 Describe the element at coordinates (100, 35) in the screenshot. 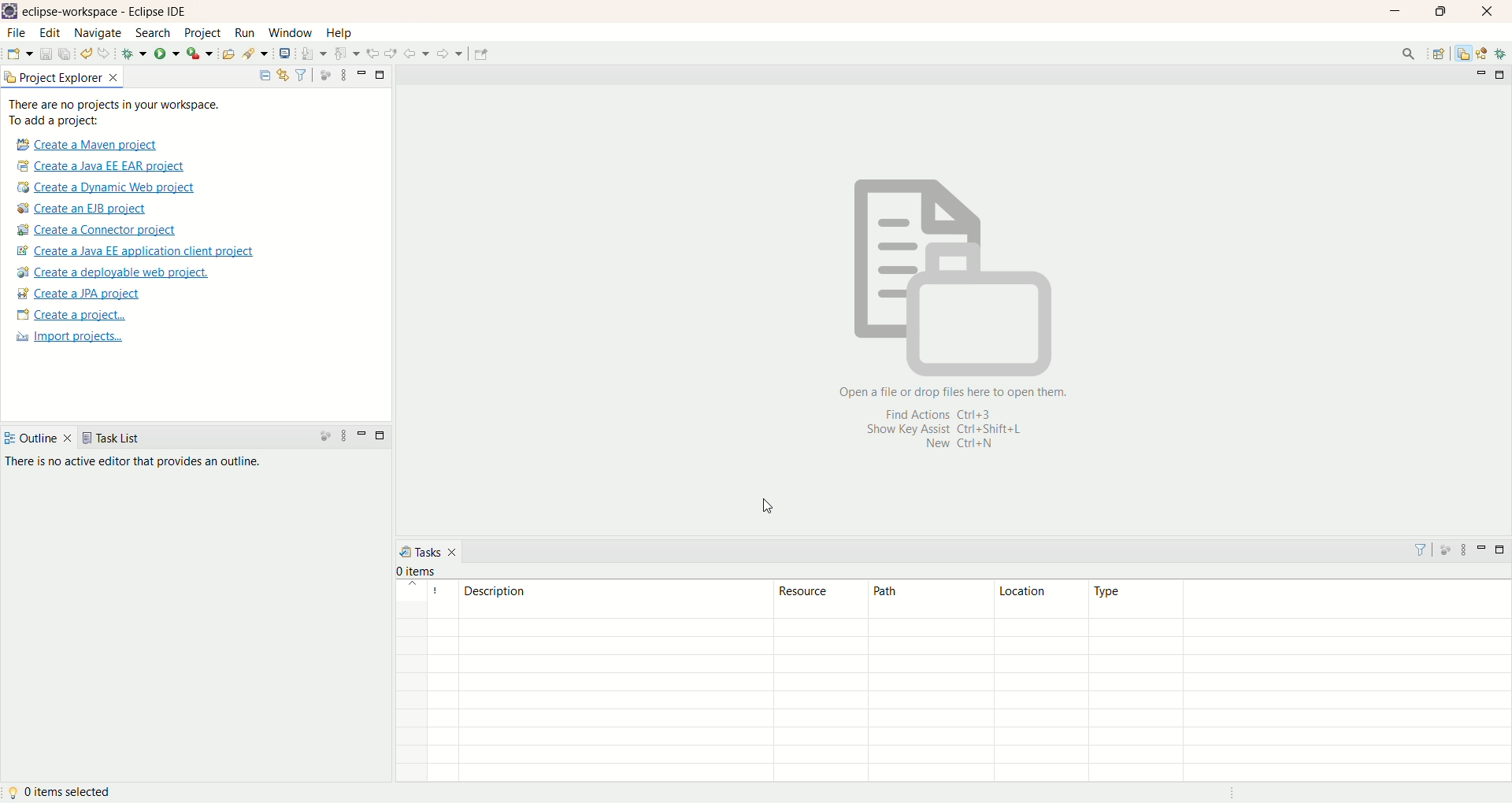

I see `navigate` at that location.